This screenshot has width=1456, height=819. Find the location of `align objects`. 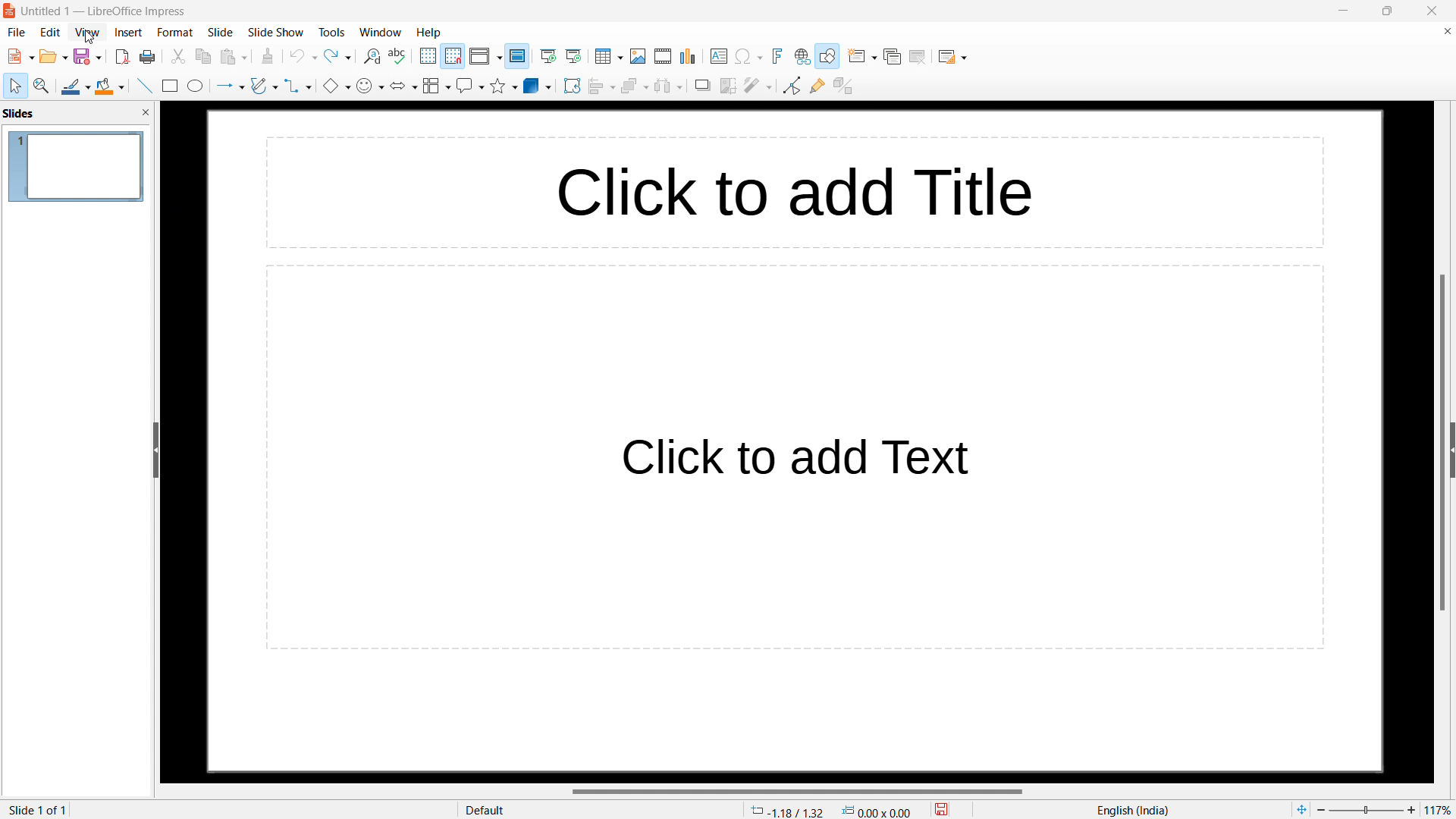

align objects is located at coordinates (601, 86).